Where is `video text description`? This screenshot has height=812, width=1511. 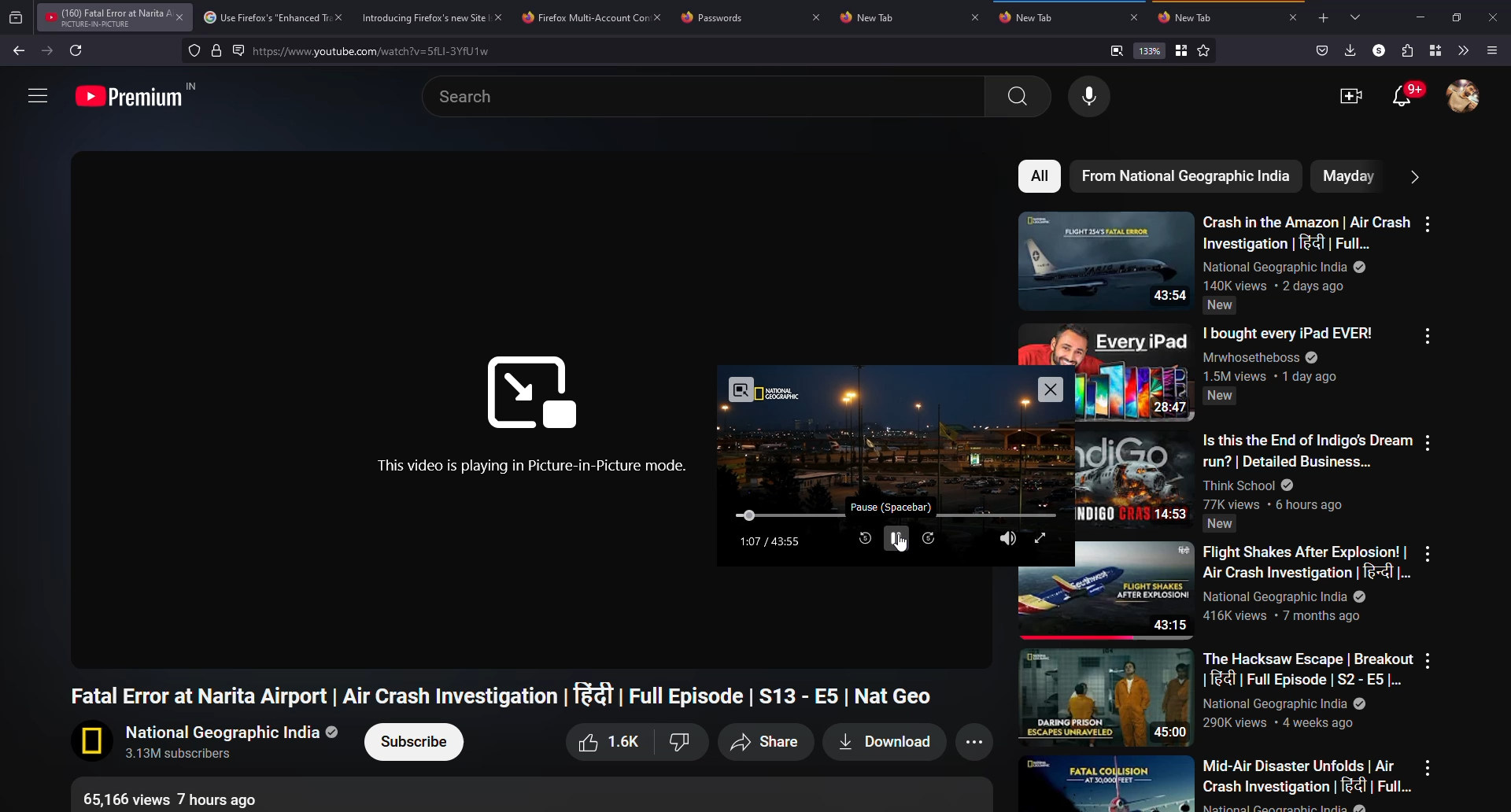 video text description is located at coordinates (1306, 251).